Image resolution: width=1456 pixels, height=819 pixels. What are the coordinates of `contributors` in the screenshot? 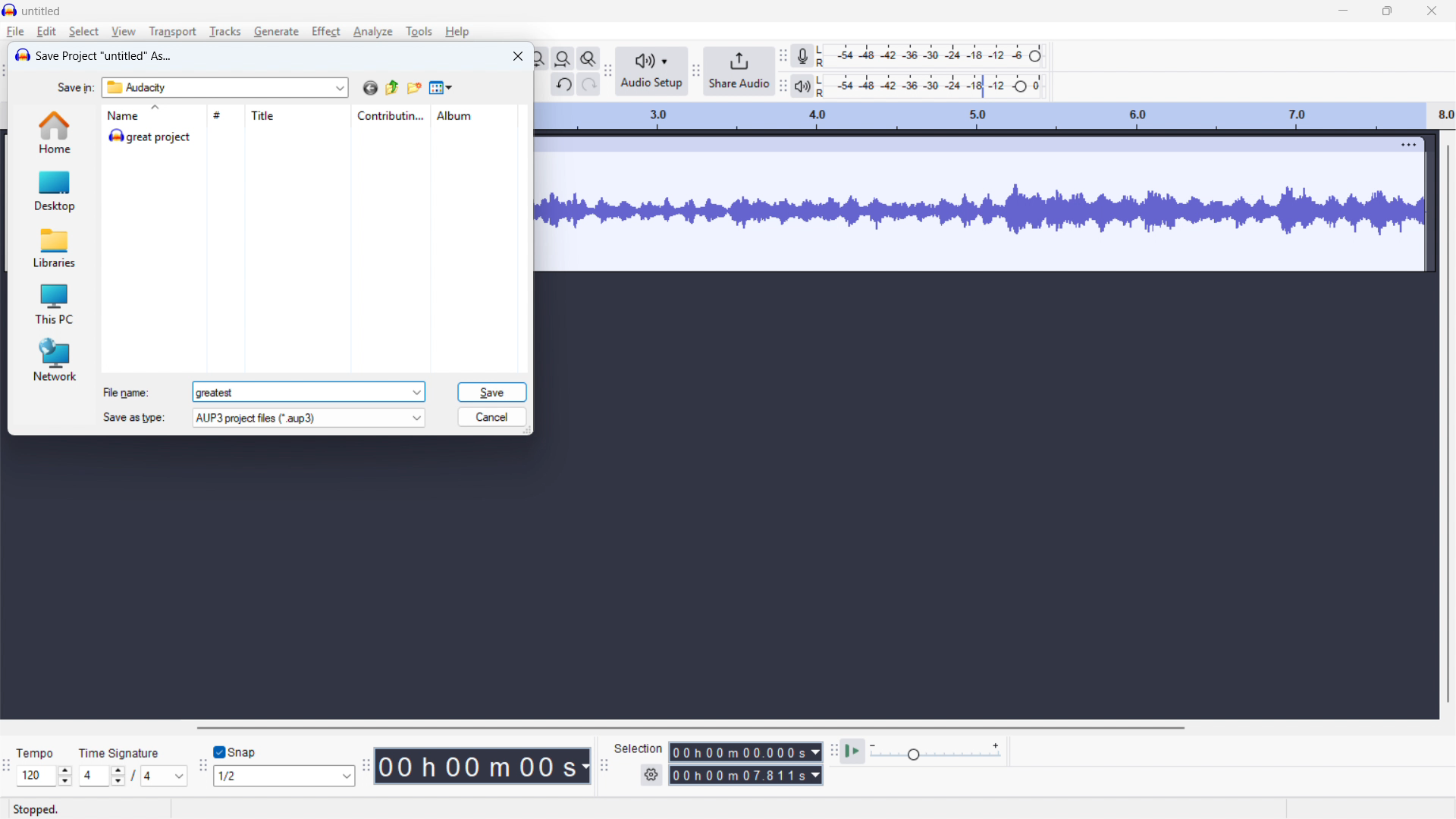 It's located at (391, 116).